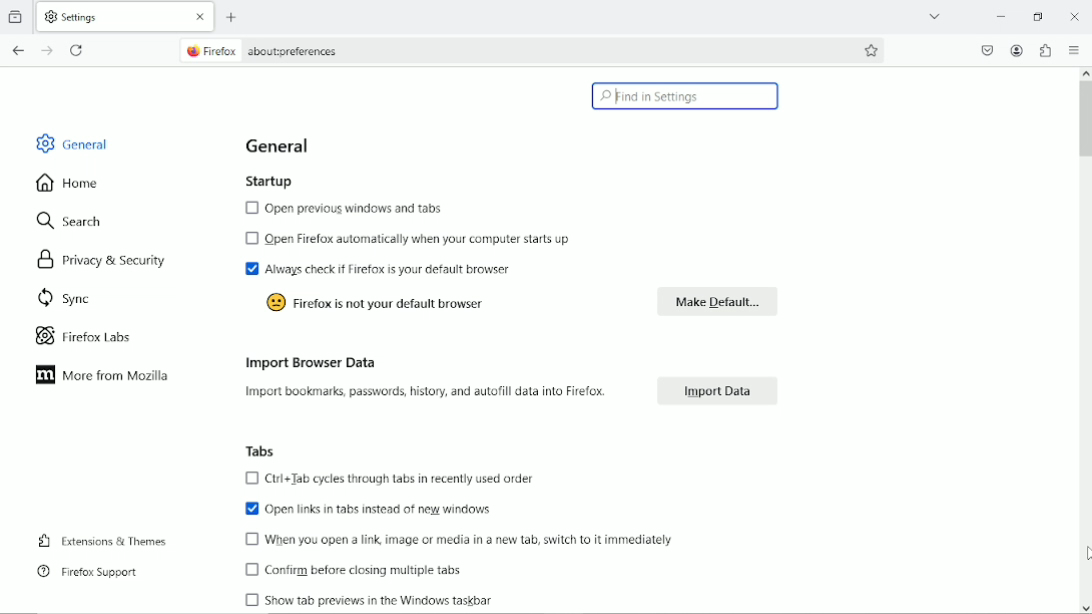 The height and width of the screenshot is (614, 1092). What do you see at coordinates (268, 180) in the screenshot?
I see `Startup` at bounding box center [268, 180].